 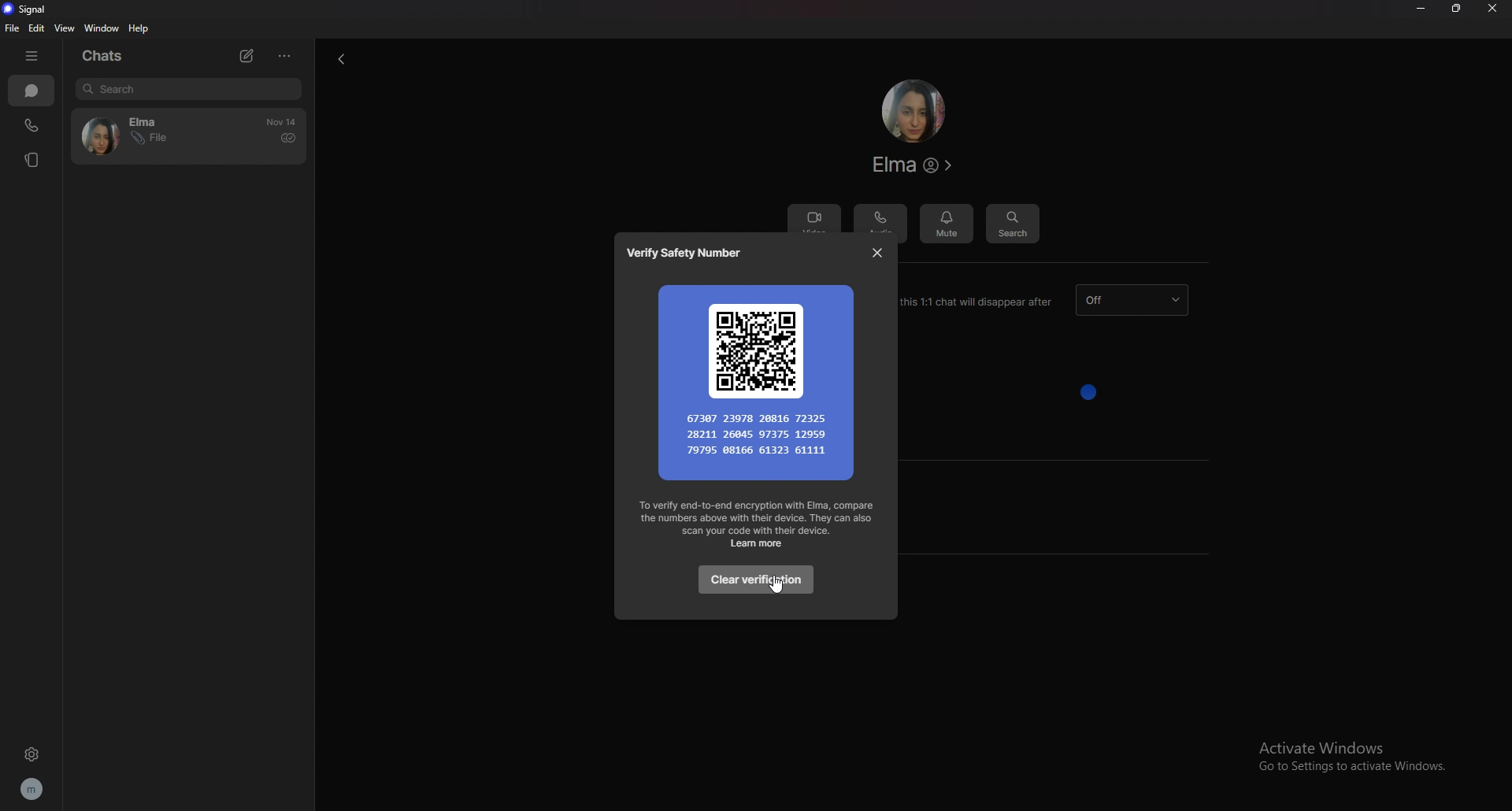 I want to click on options, so click(x=285, y=55).